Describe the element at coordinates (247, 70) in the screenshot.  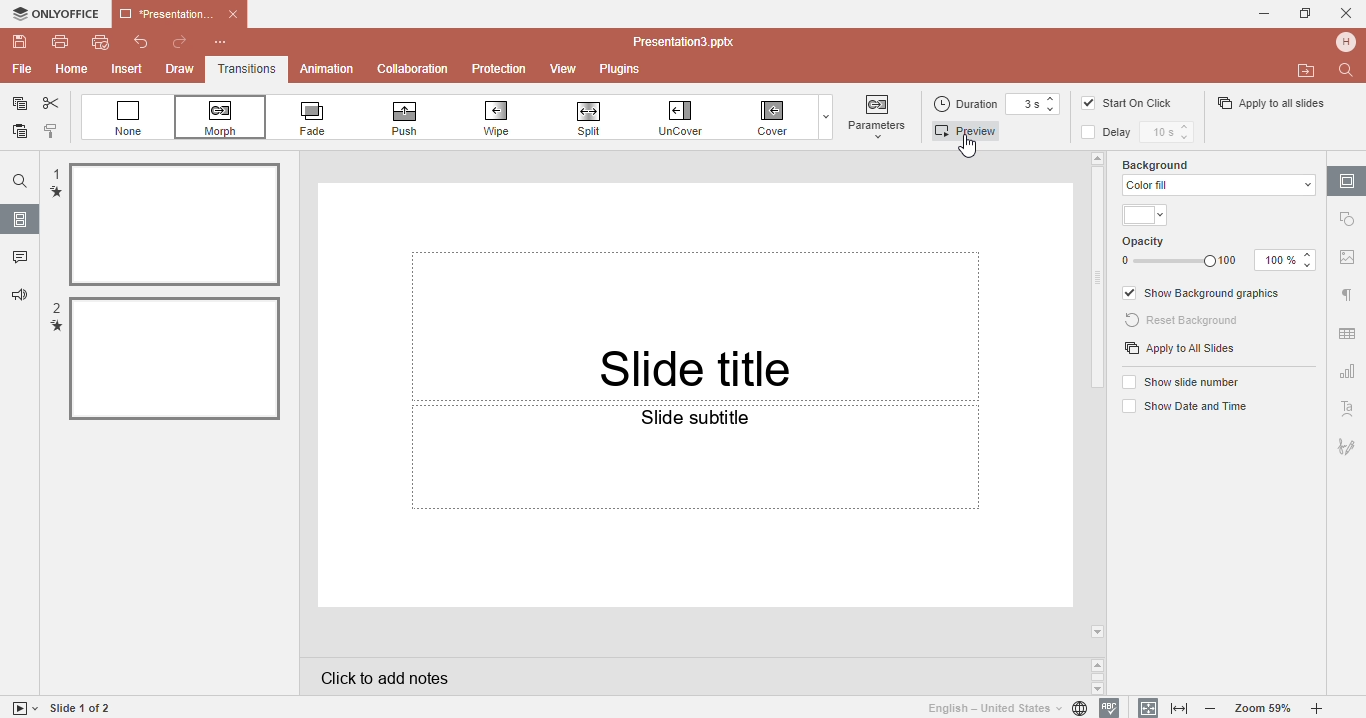
I see `Transitions` at that location.